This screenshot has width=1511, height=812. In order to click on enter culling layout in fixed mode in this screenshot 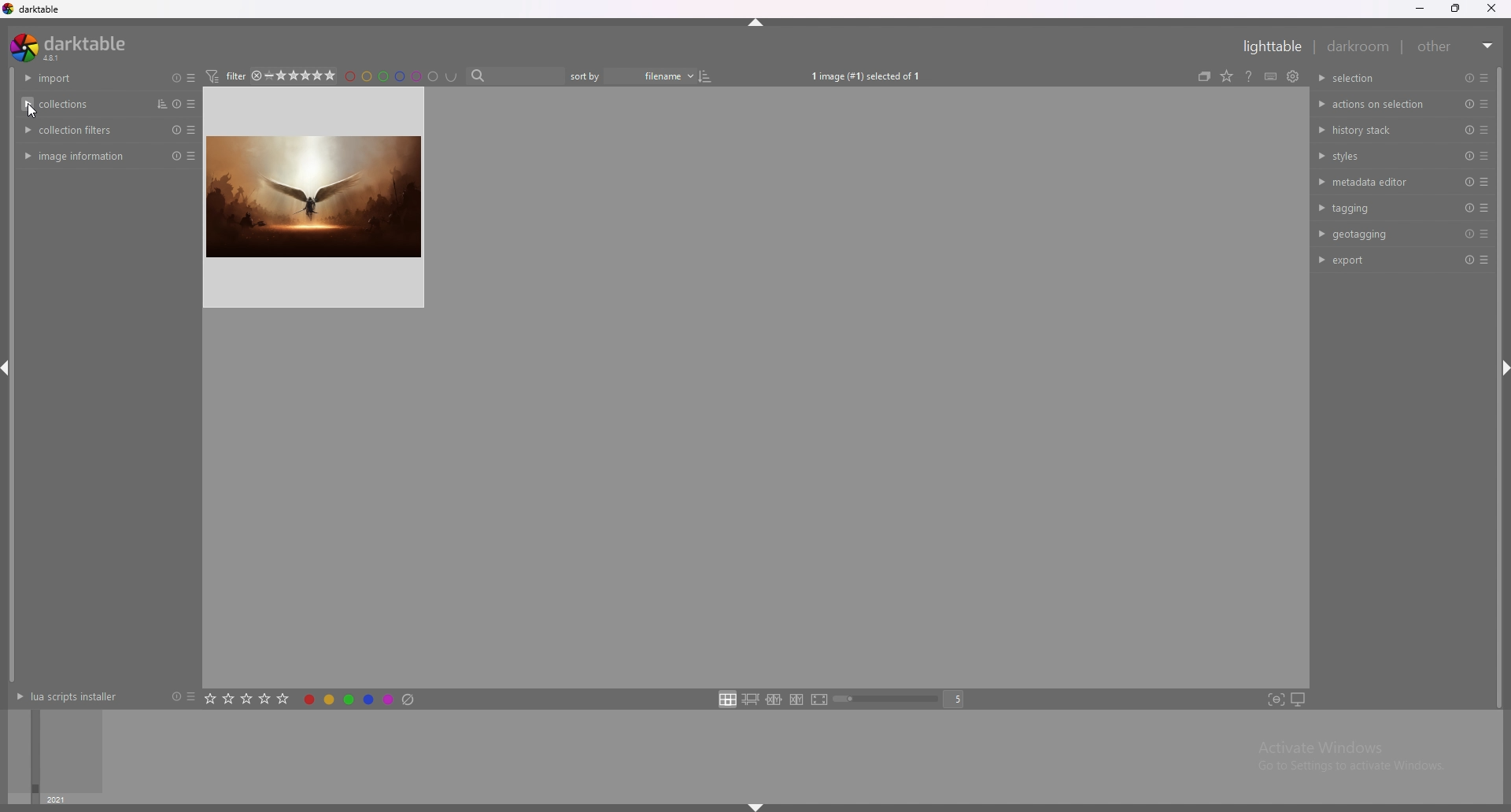, I will do `click(774, 700)`.